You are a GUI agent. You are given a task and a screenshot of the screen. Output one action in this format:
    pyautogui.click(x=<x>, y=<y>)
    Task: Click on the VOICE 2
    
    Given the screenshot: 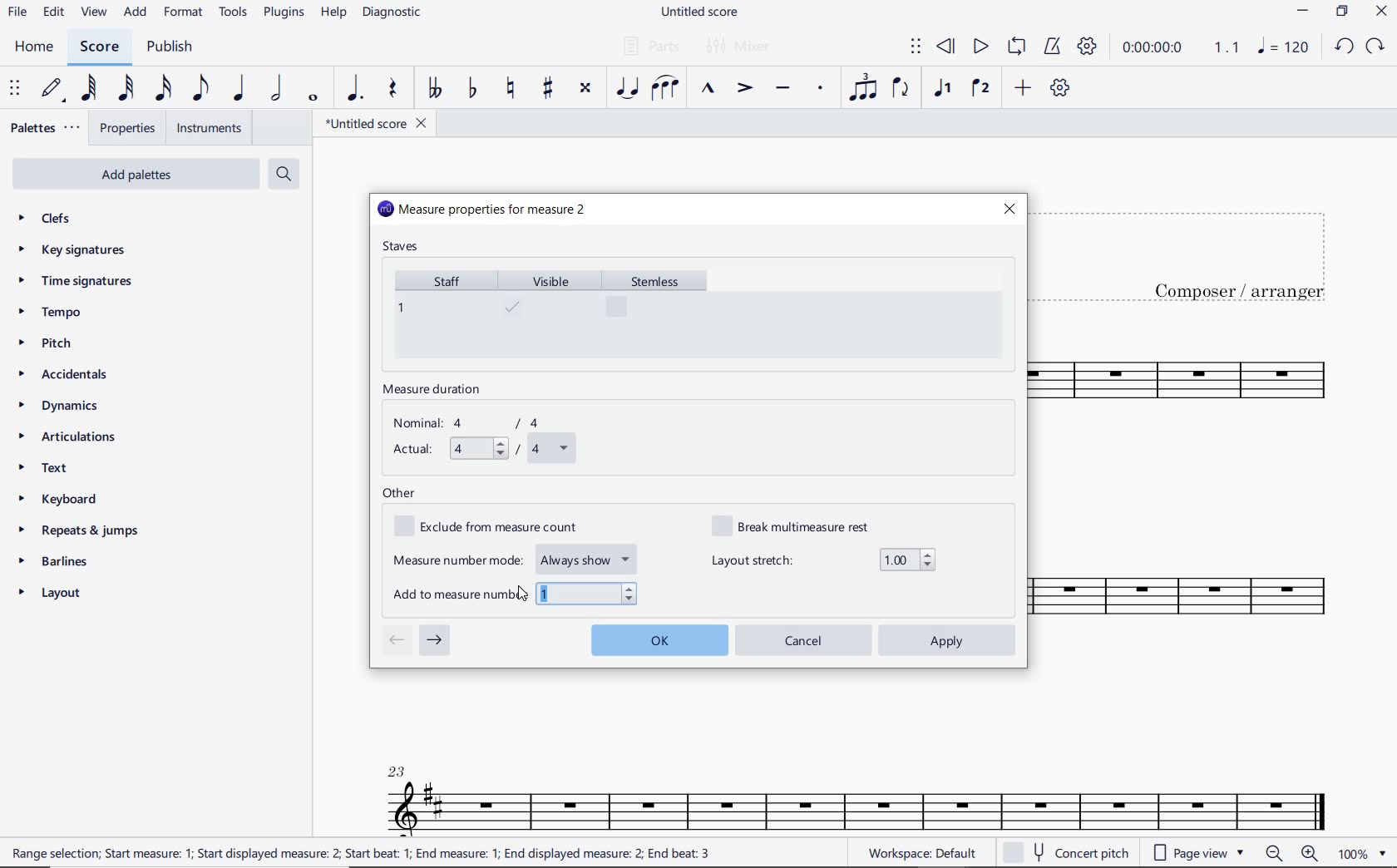 What is the action you would take?
    pyautogui.click(x=981, y=89)
    